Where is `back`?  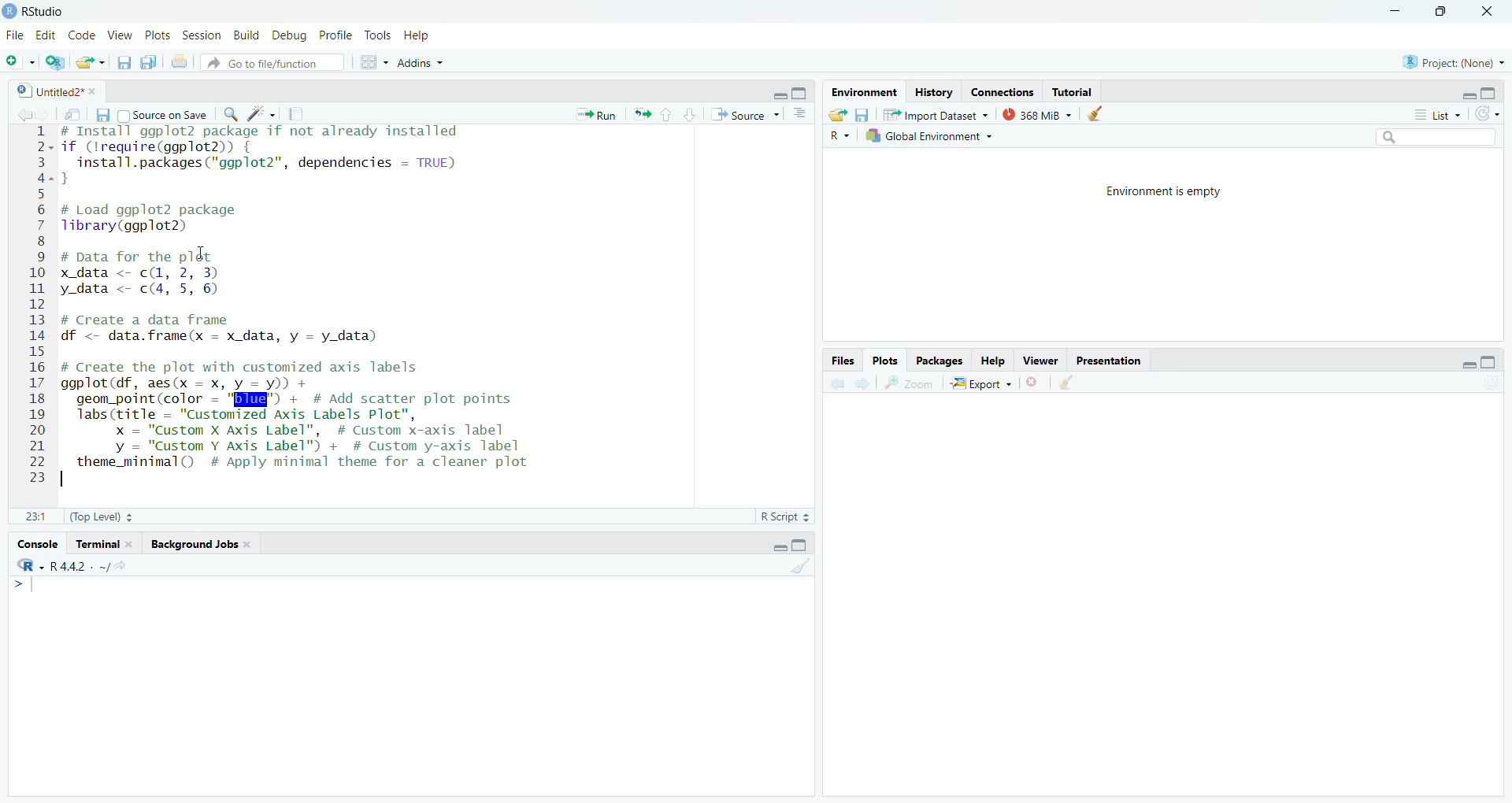
back is located at coordinates (835, 385).